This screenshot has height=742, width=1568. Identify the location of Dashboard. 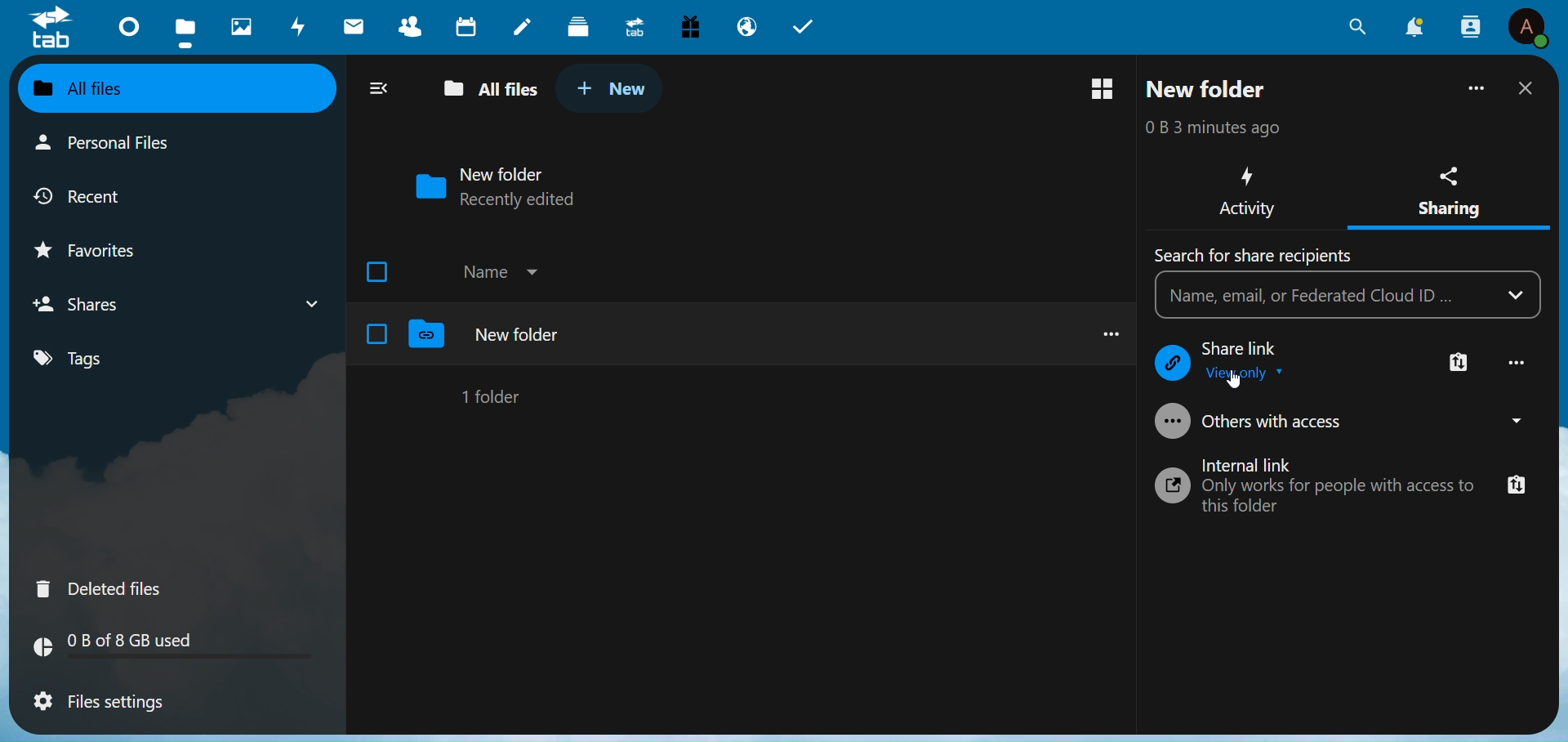
(123, 25).